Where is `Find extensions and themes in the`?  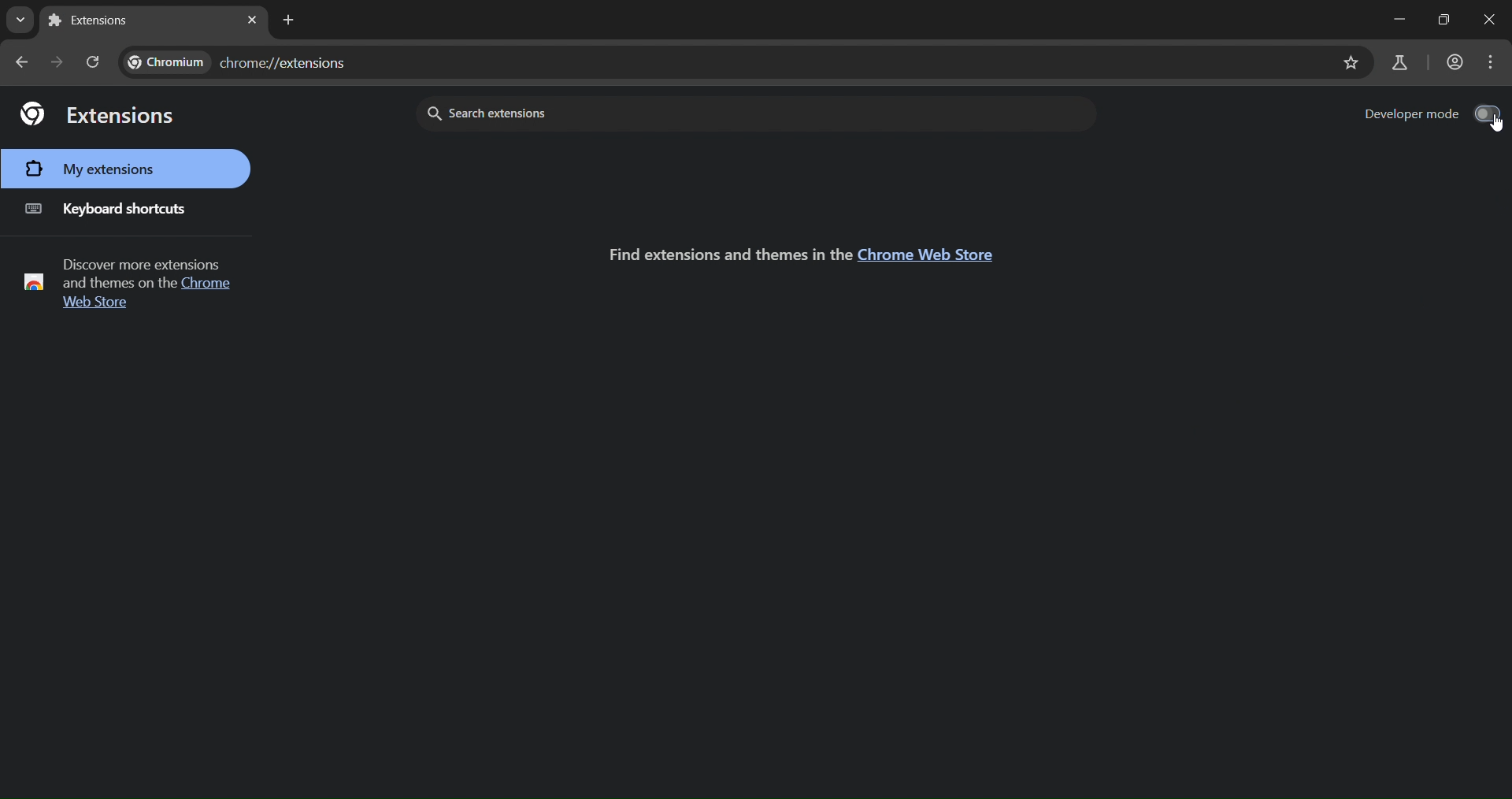
Find extensions and themes in the is located at coordinates (719, 251).